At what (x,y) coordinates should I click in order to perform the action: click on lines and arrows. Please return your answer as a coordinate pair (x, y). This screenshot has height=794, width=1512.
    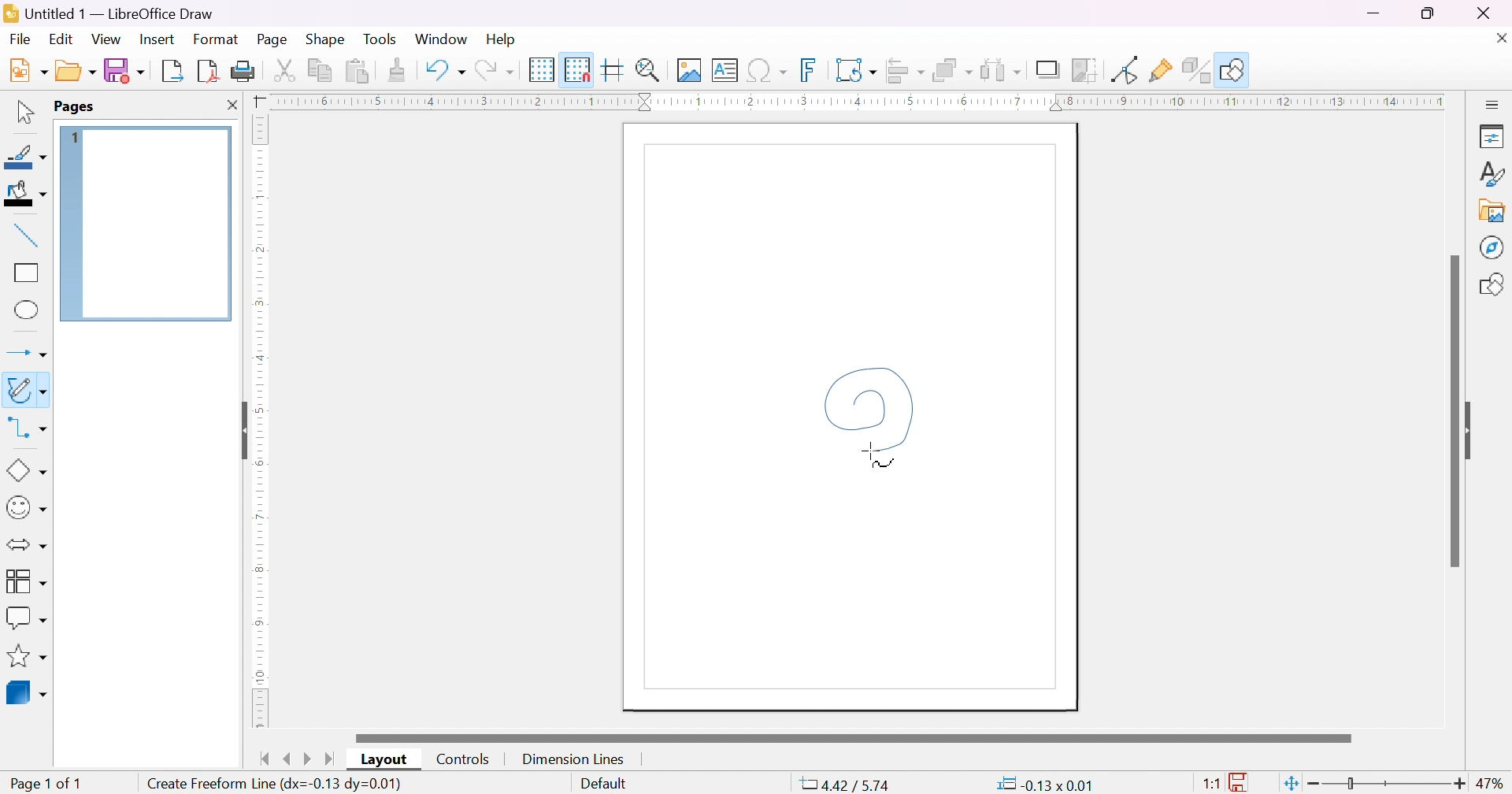
    Looking at the image, I should click on (29, 354).